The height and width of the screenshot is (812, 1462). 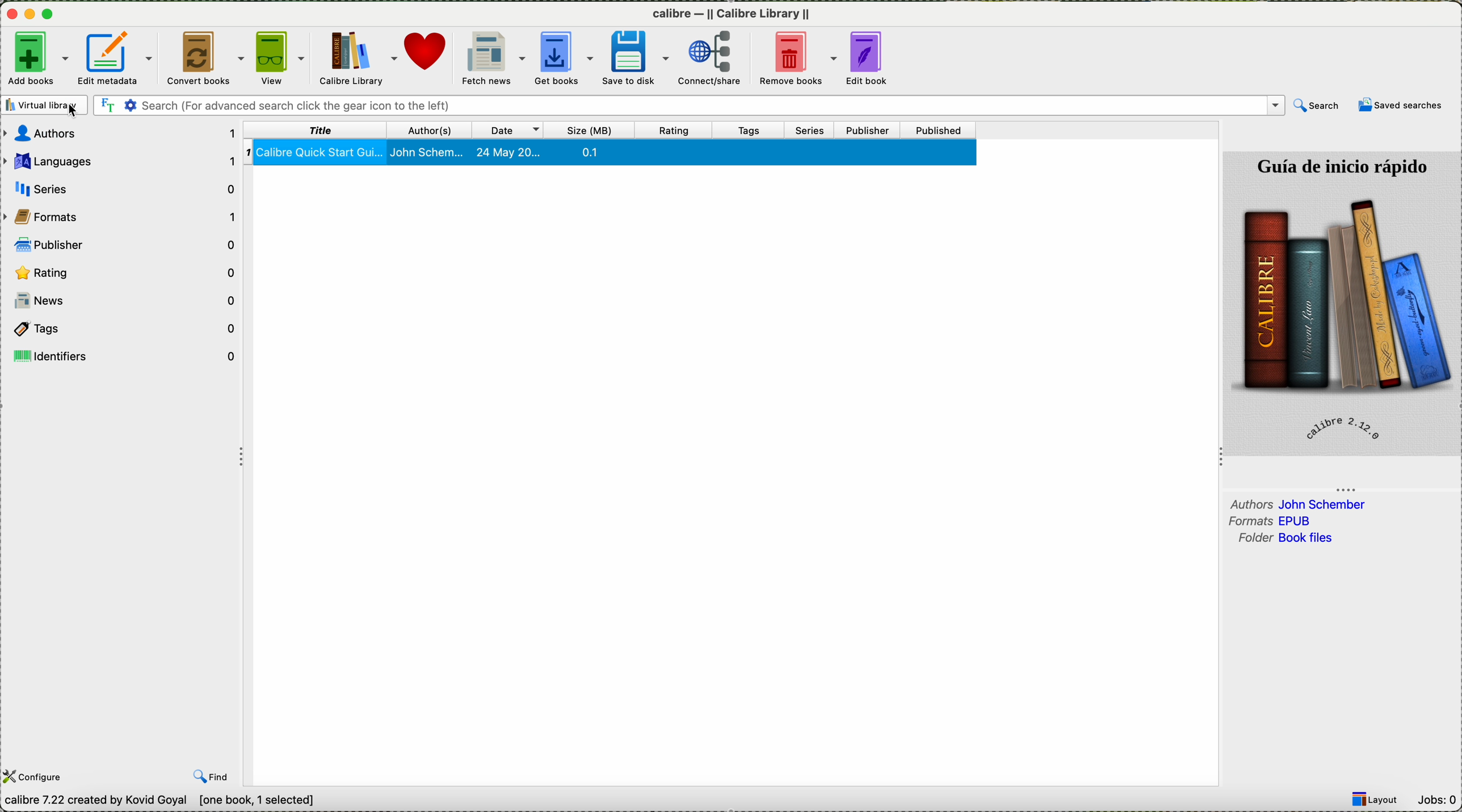 What do you see at coordinates (80, 112) in the screenshot?
I see `cursor` at bounding box center [80, 112].